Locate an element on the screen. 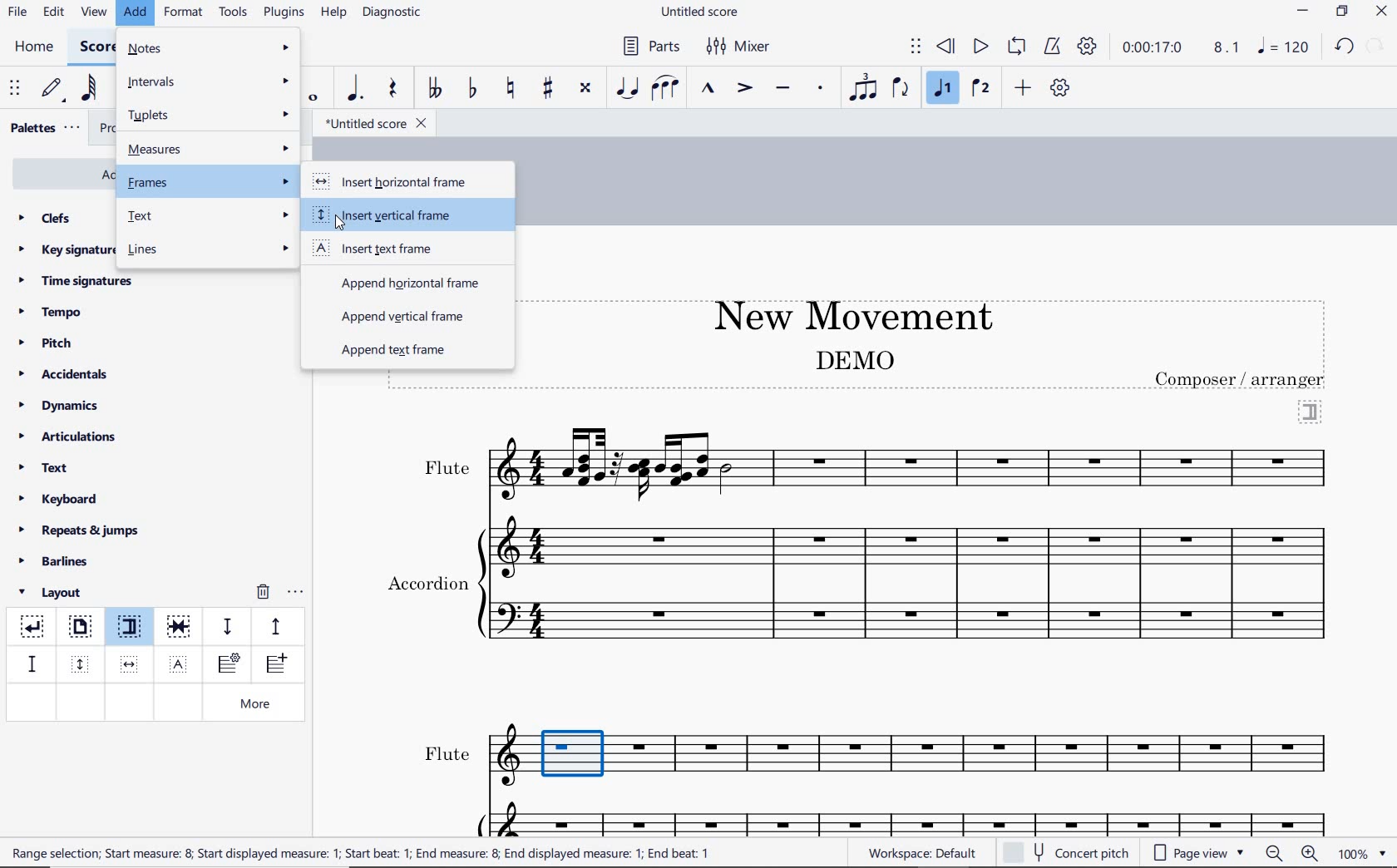 The image size is (1397, 868). text is located at coordinates (45, 470).